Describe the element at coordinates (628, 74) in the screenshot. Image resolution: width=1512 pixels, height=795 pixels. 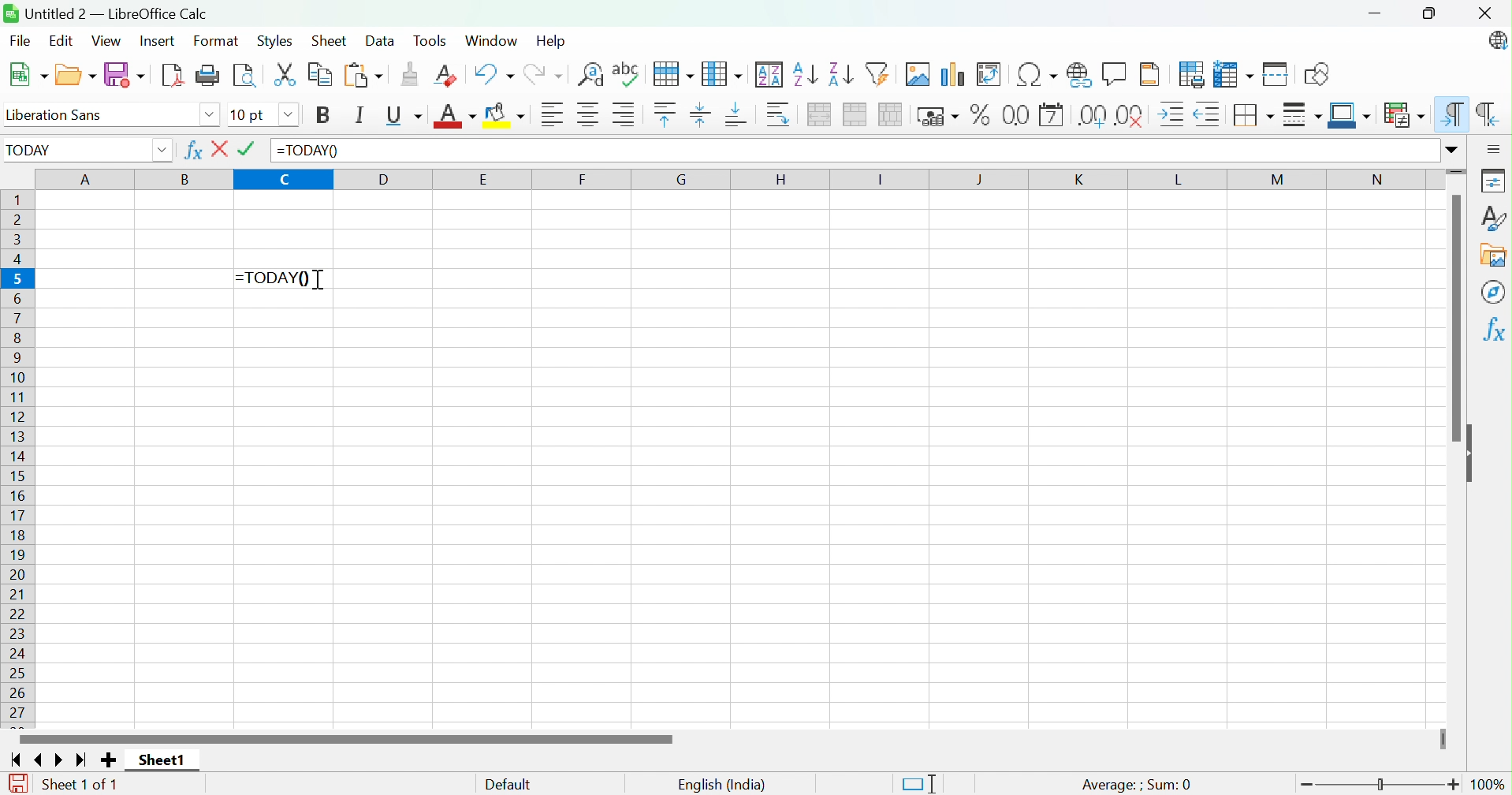
I see `Find and replace` at that location.